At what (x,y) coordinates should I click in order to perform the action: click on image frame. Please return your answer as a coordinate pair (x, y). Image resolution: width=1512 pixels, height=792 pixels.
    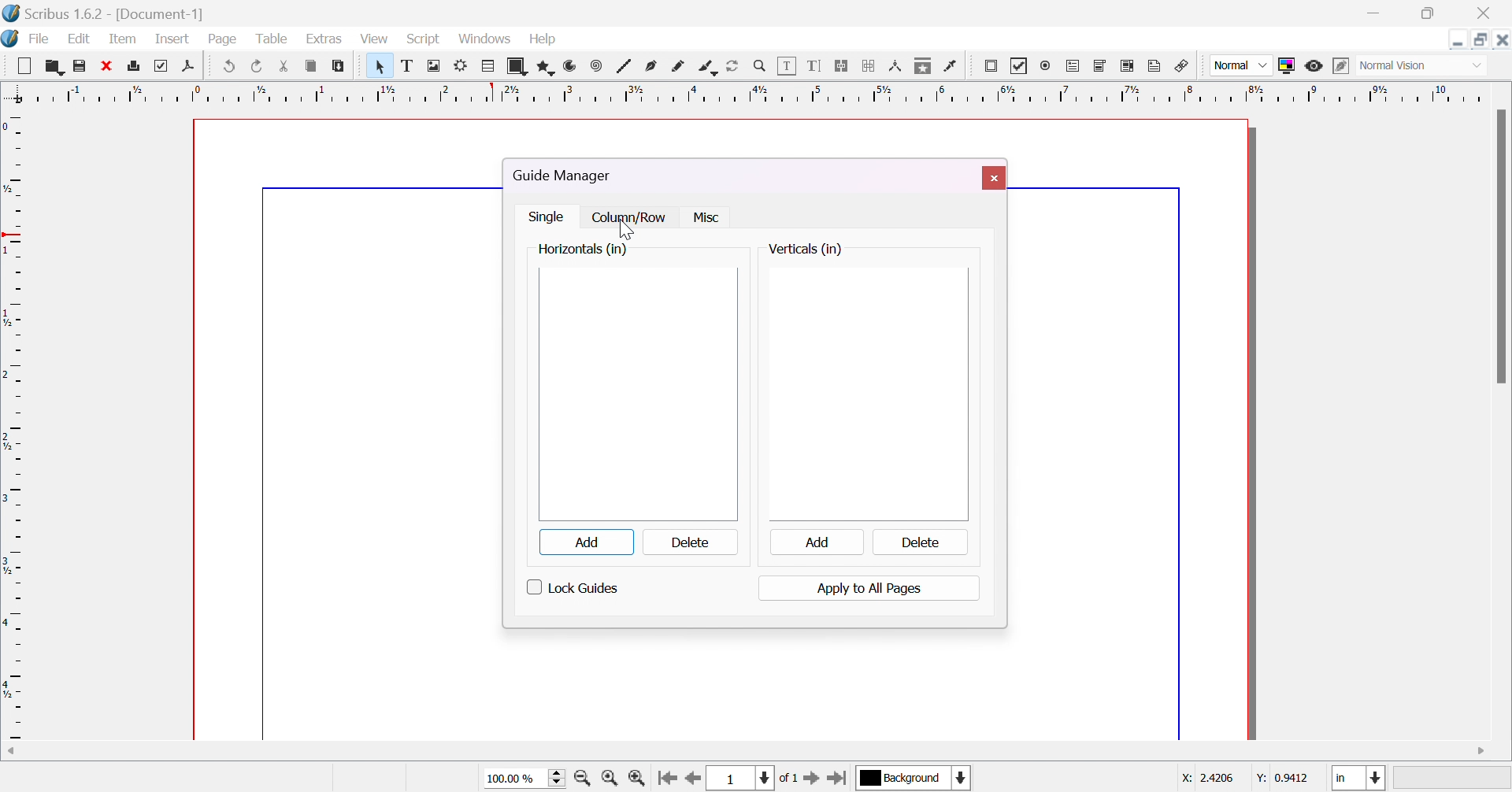
    Looking at the image, I should click on (437, 67).